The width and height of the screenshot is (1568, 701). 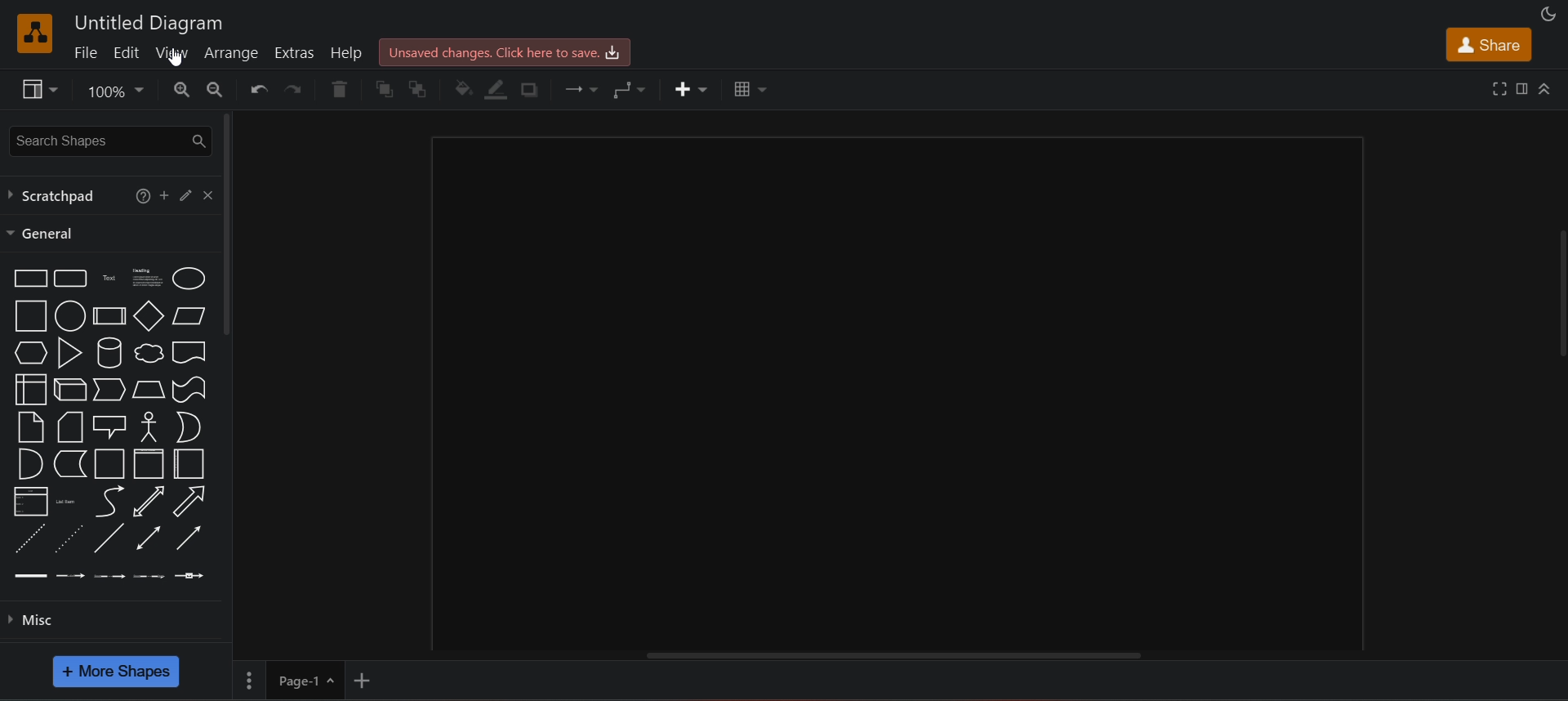 I want to click on triangle, so click(x=69, y=352).